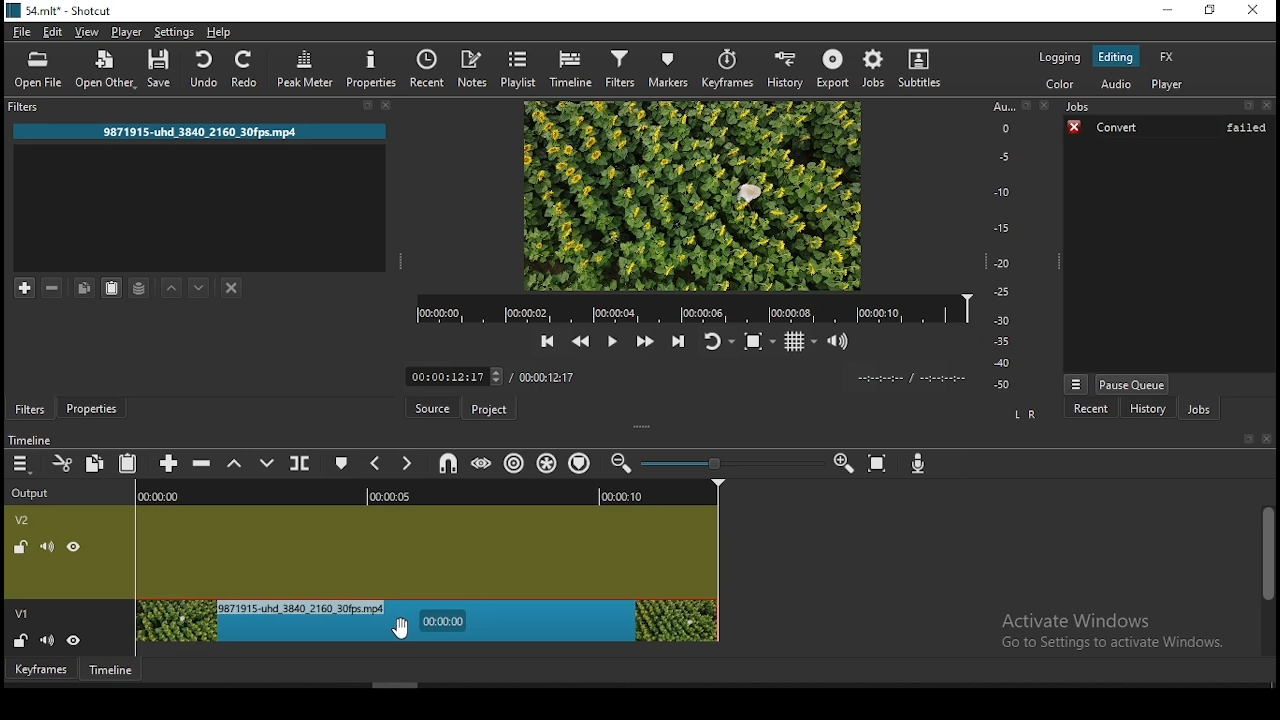 The width and height of the screenshot is (1280, 720). Describe the element at coordinates (406, 464) in the screenshot. I see `next marker` at that location.